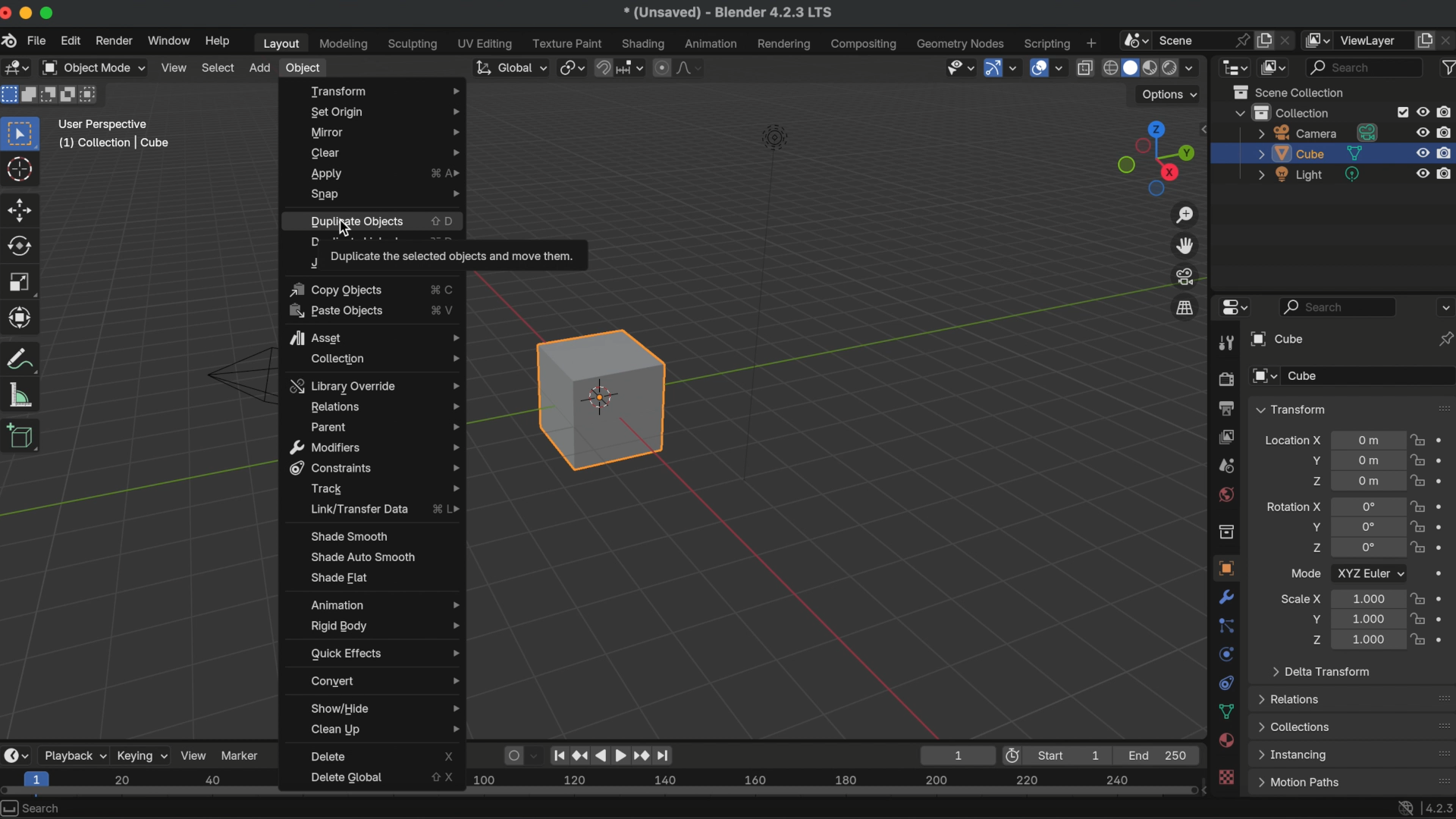 The width and height of the screenshot is (1456, 819). Describe the element at coordinates (1438, 805) in the screenshot. I see `4..2.3` at that location.